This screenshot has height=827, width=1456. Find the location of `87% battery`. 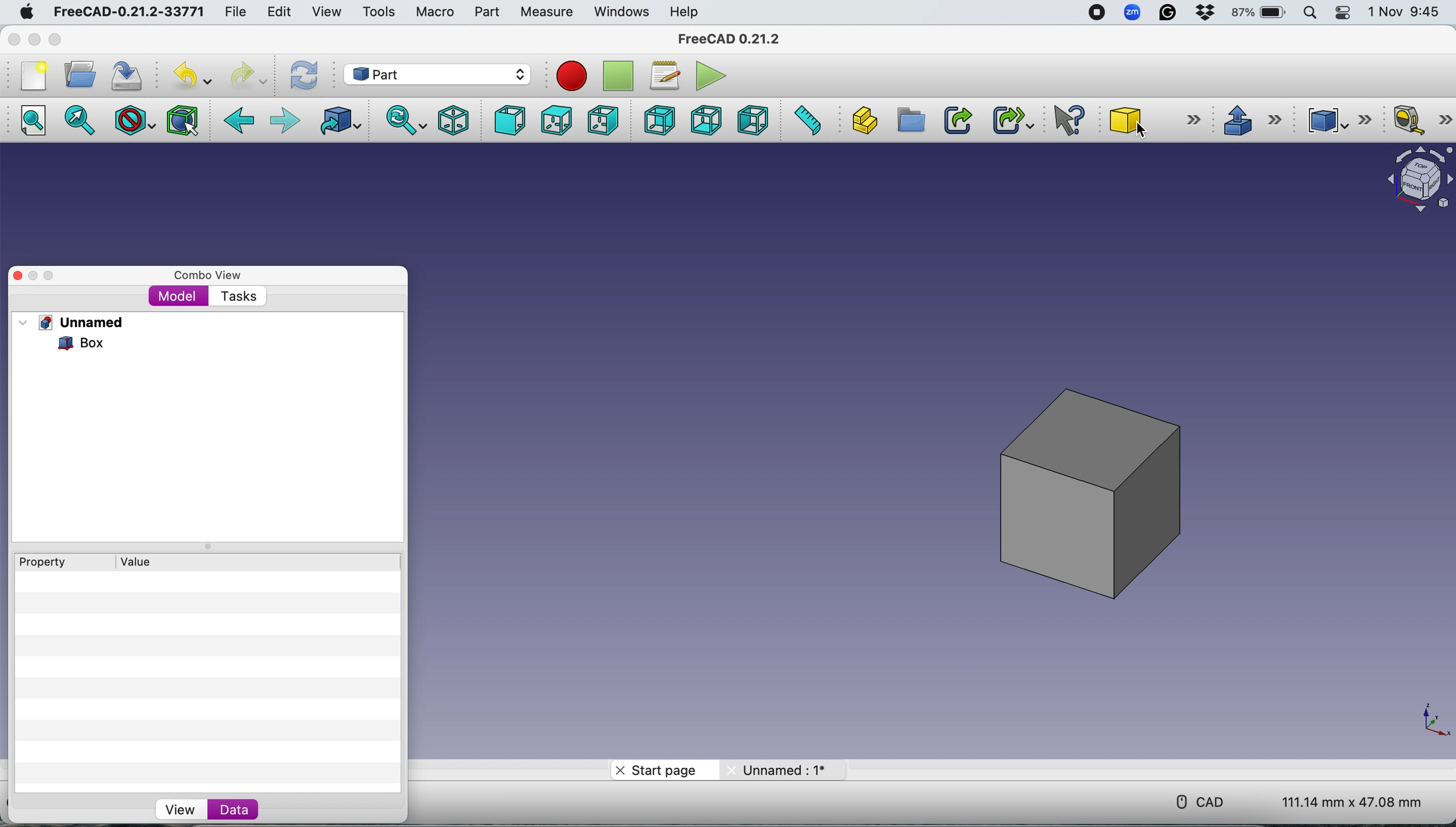

87% battery is located at coordinates (1260, 13).